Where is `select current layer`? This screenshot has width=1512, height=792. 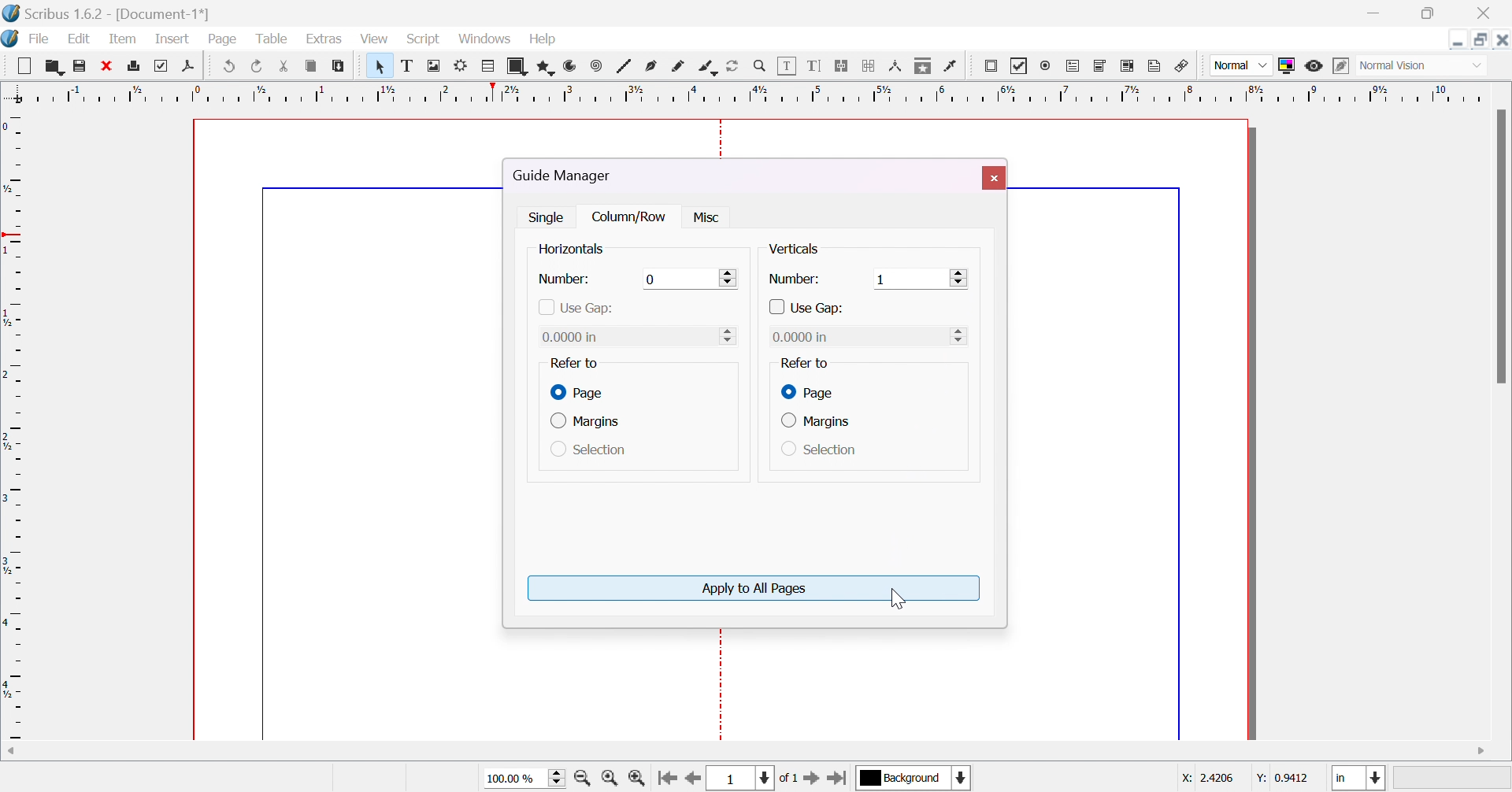
select current layer is located at coordinates (962, 777).